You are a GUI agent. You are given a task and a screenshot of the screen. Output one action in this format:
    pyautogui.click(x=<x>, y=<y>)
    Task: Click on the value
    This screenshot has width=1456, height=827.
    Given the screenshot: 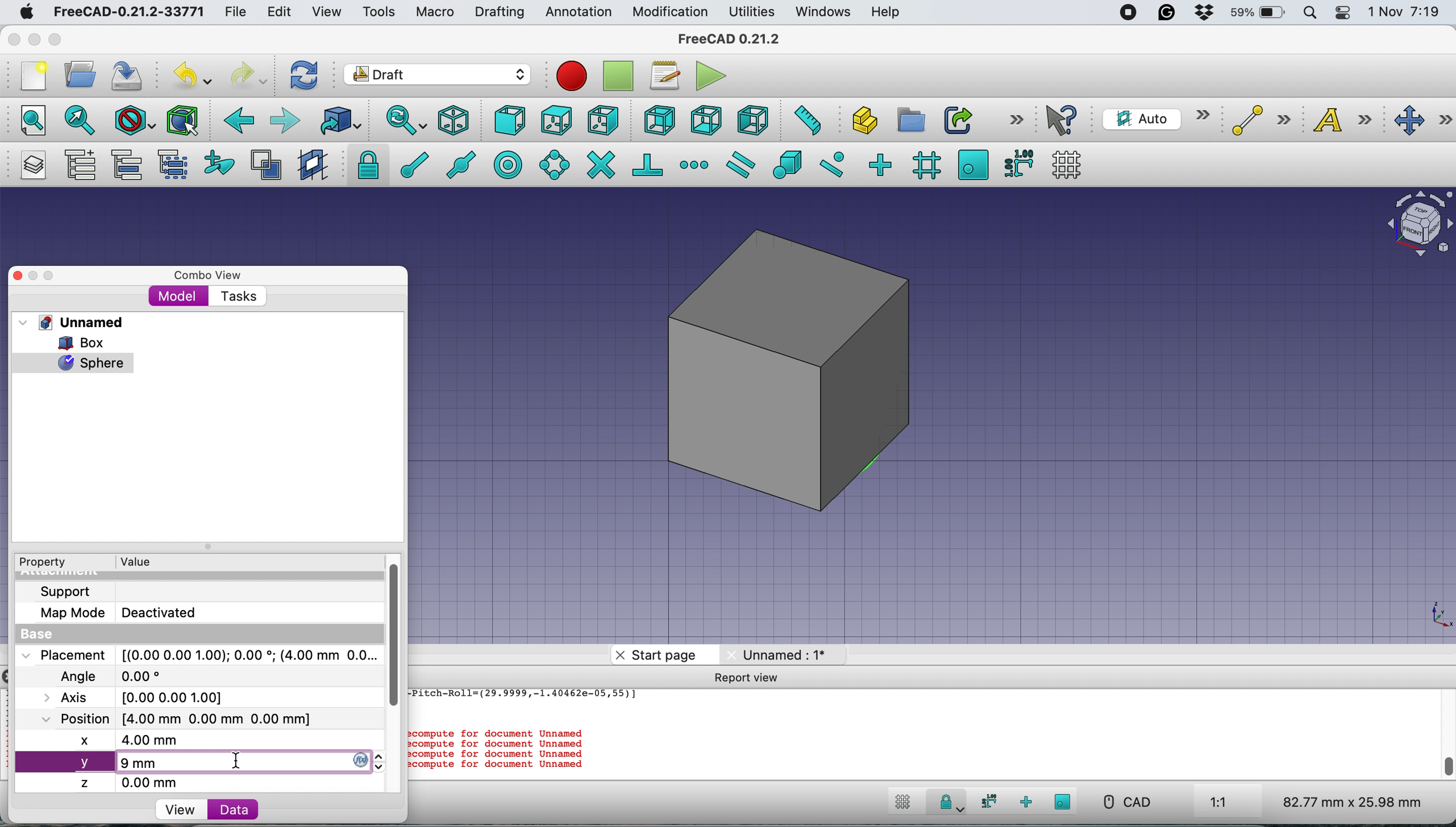 What is the action you would take?
    pyautogui.click(x=147, y=561)
    